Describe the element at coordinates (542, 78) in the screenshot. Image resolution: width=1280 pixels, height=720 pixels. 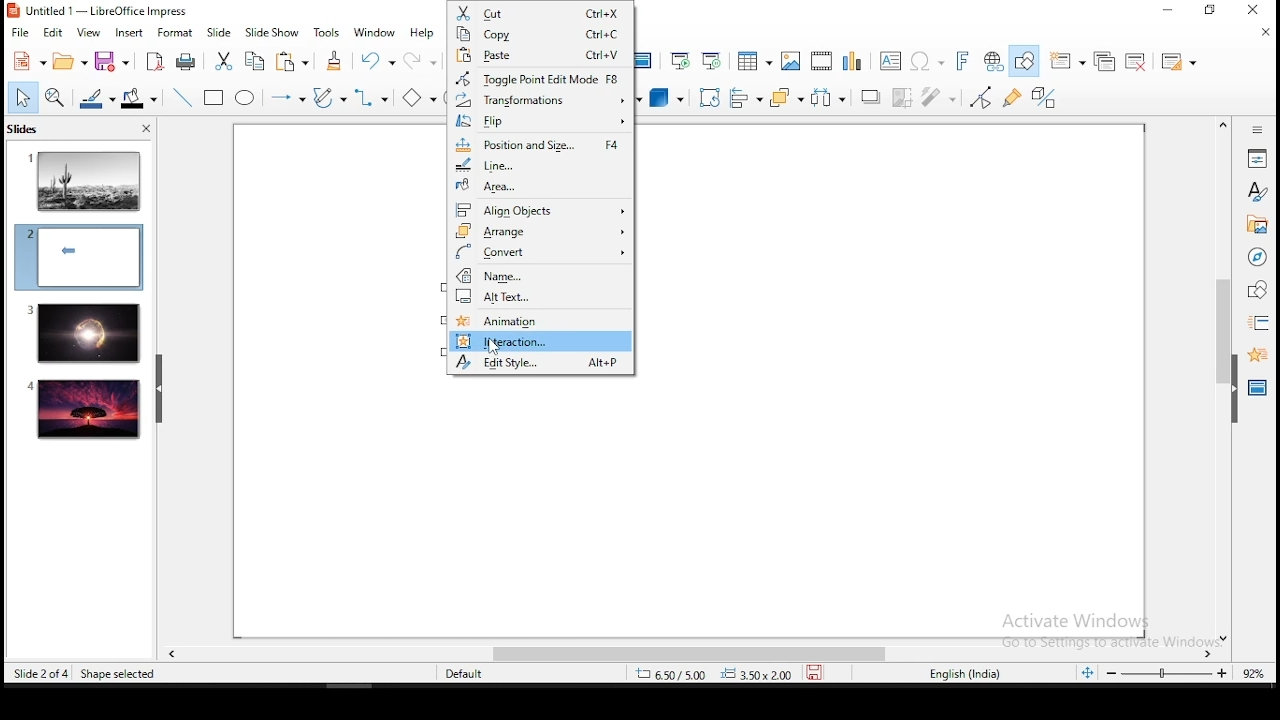
I see `toggle point edit mode` at that location.